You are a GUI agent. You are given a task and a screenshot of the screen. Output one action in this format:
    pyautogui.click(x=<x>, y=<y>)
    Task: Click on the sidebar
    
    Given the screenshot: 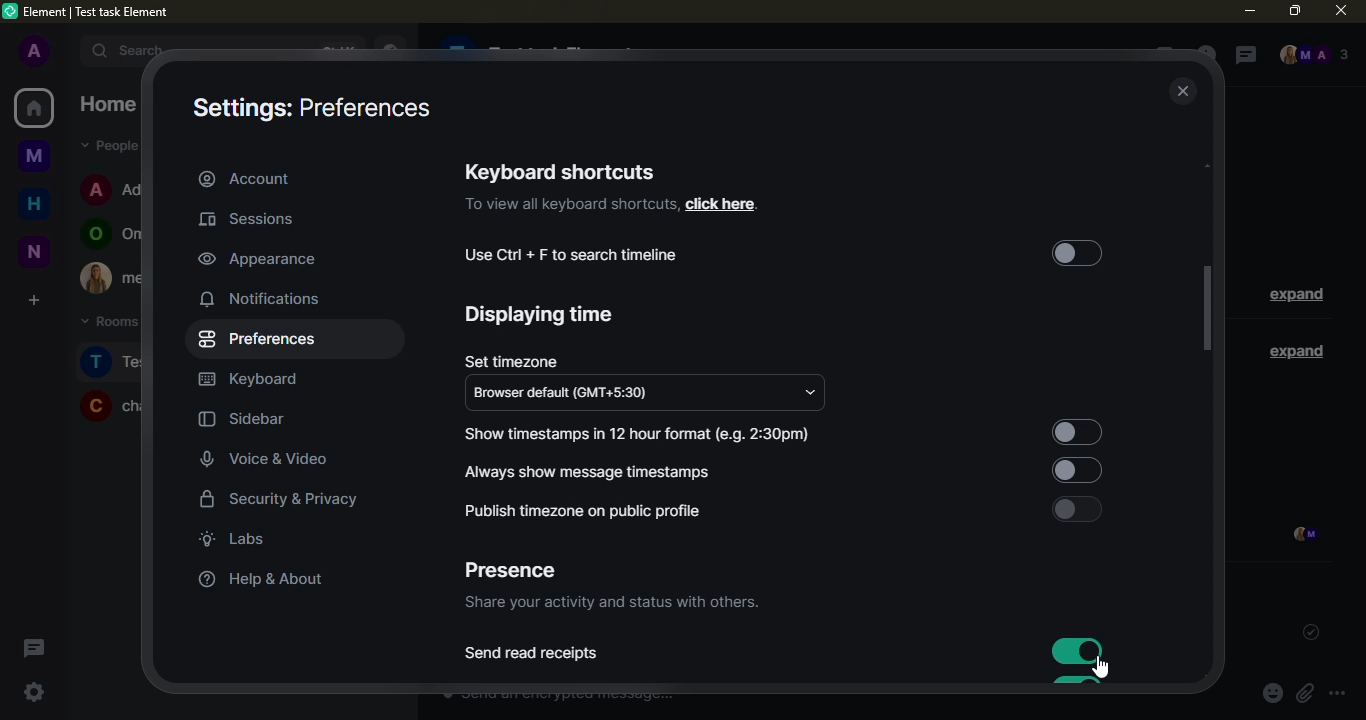 What is the action you would take?
    pyautogui.click(x=242, y=420)
    